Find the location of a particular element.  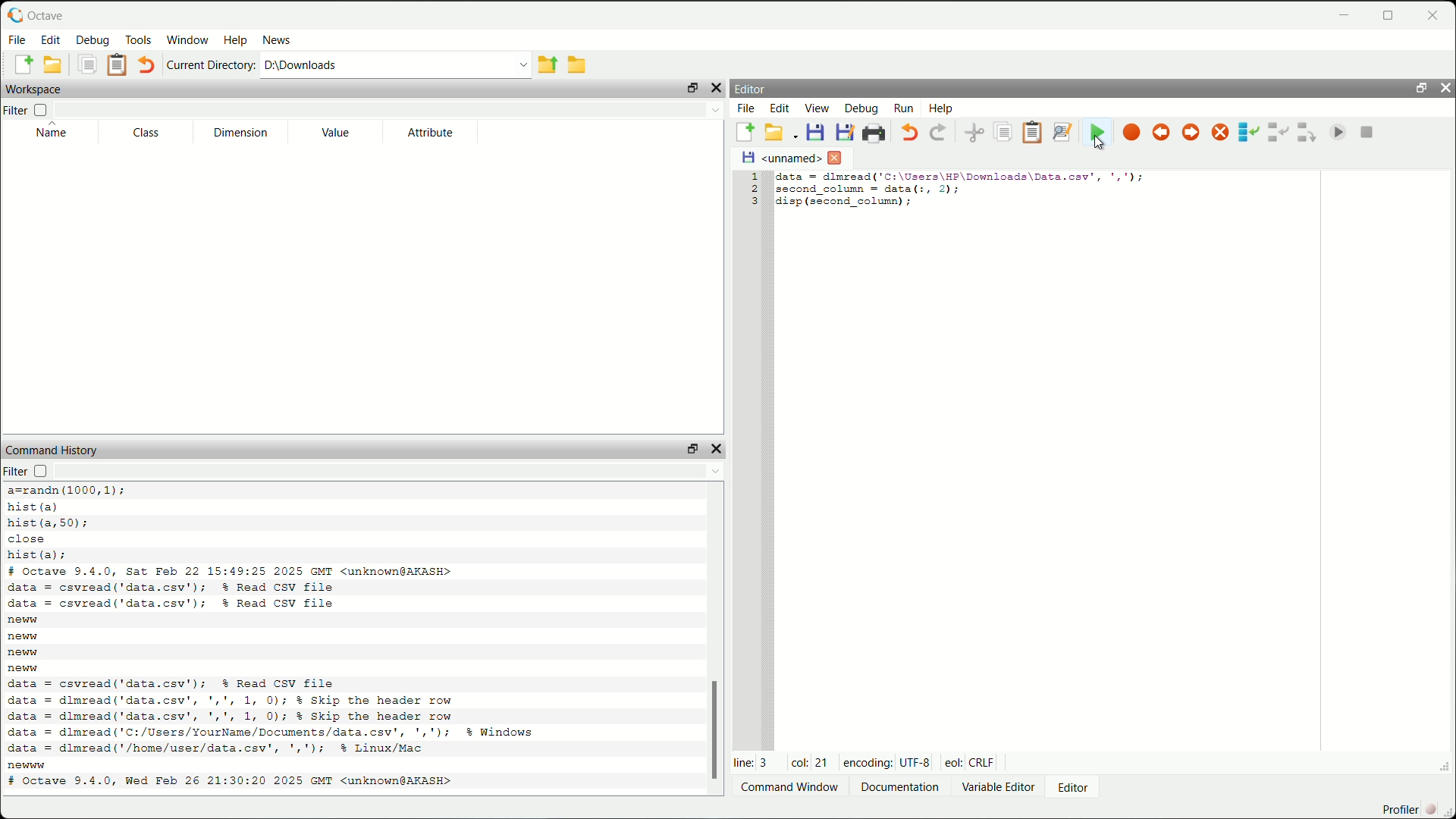

code to read csv is located at coordinates (322, 716).